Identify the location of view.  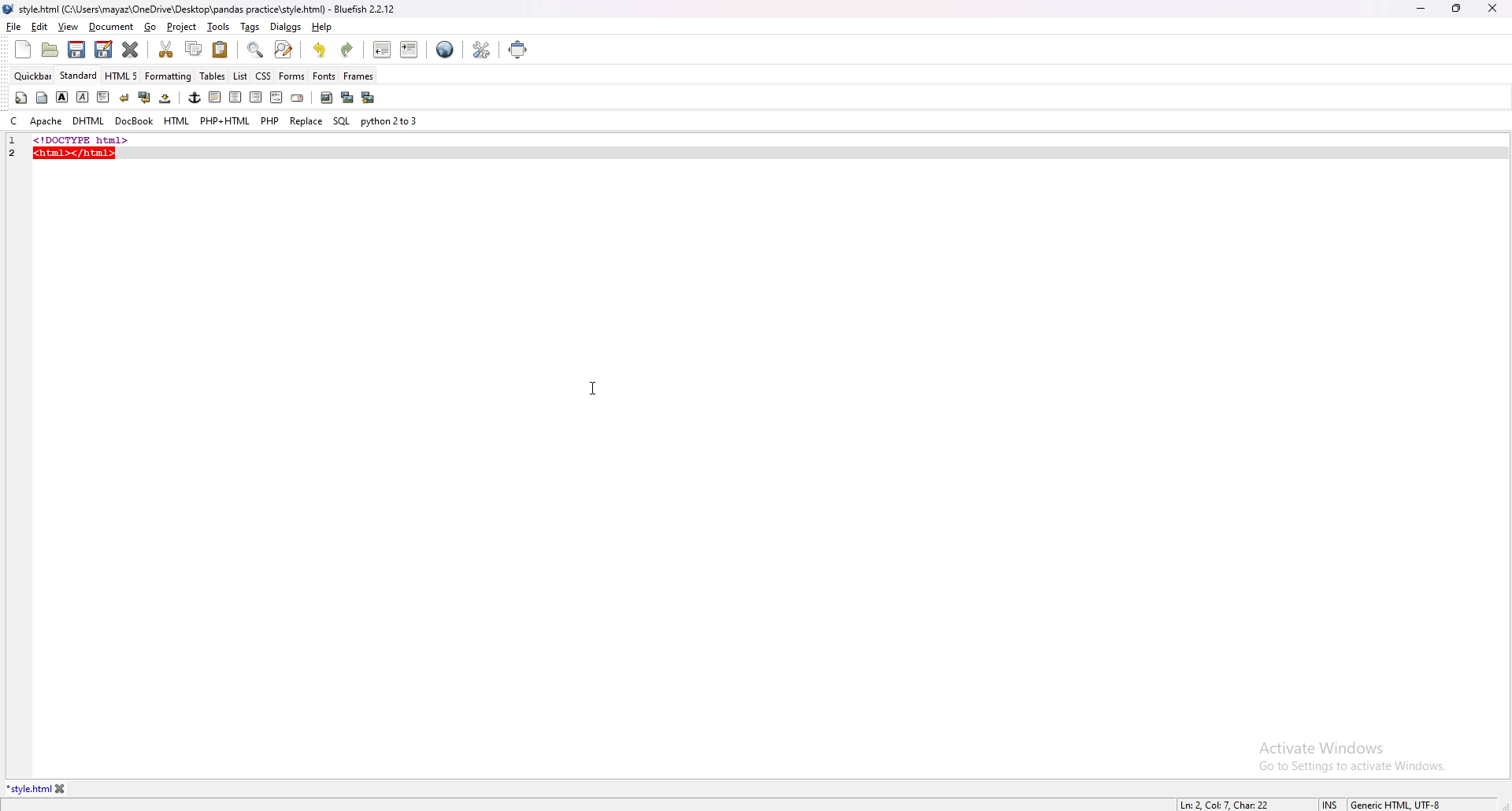
(68, 27).